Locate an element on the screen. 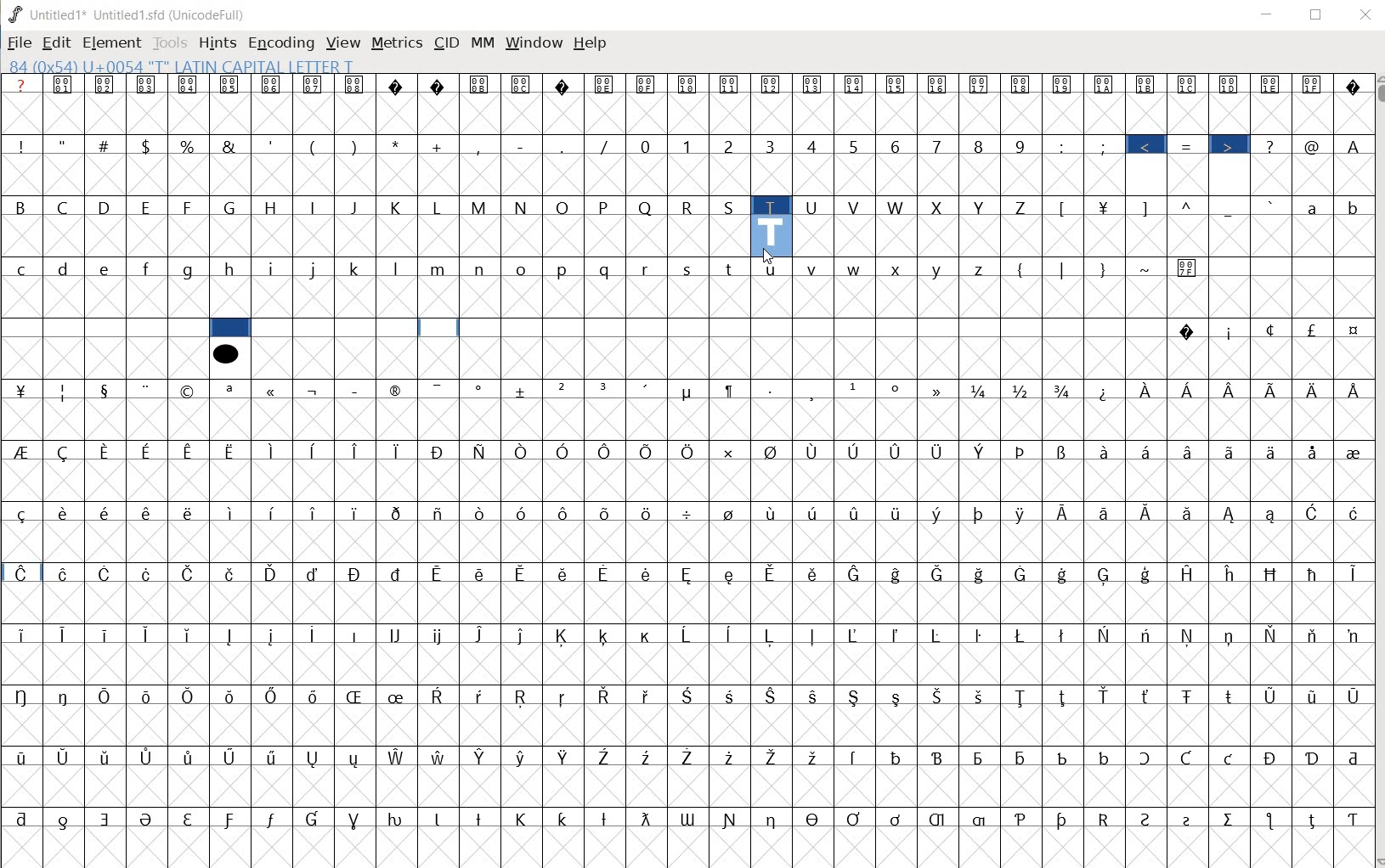 Image resolution: width=1385 pixels, height=868 pixels. Symbol is located at coordinates (1063, 452).